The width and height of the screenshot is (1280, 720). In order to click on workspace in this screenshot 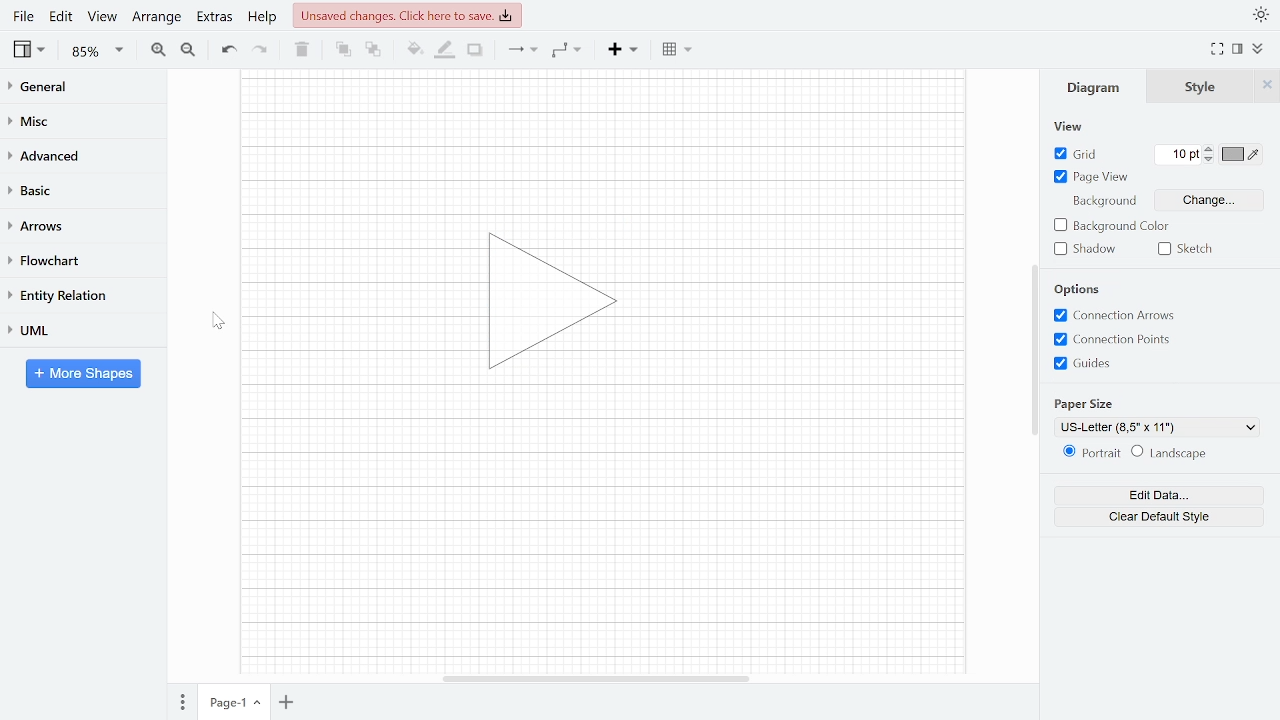, I will do `click(602, 135)`.